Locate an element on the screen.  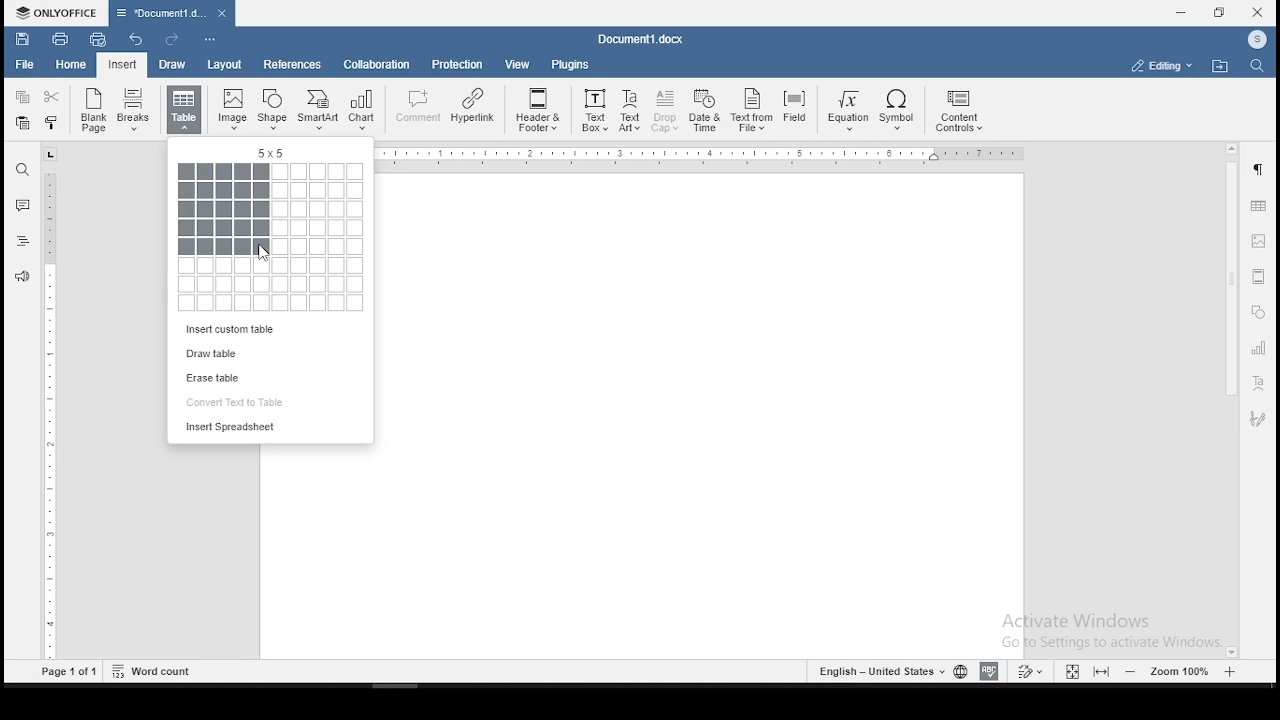
draw table is located at coordinates (273, 354).